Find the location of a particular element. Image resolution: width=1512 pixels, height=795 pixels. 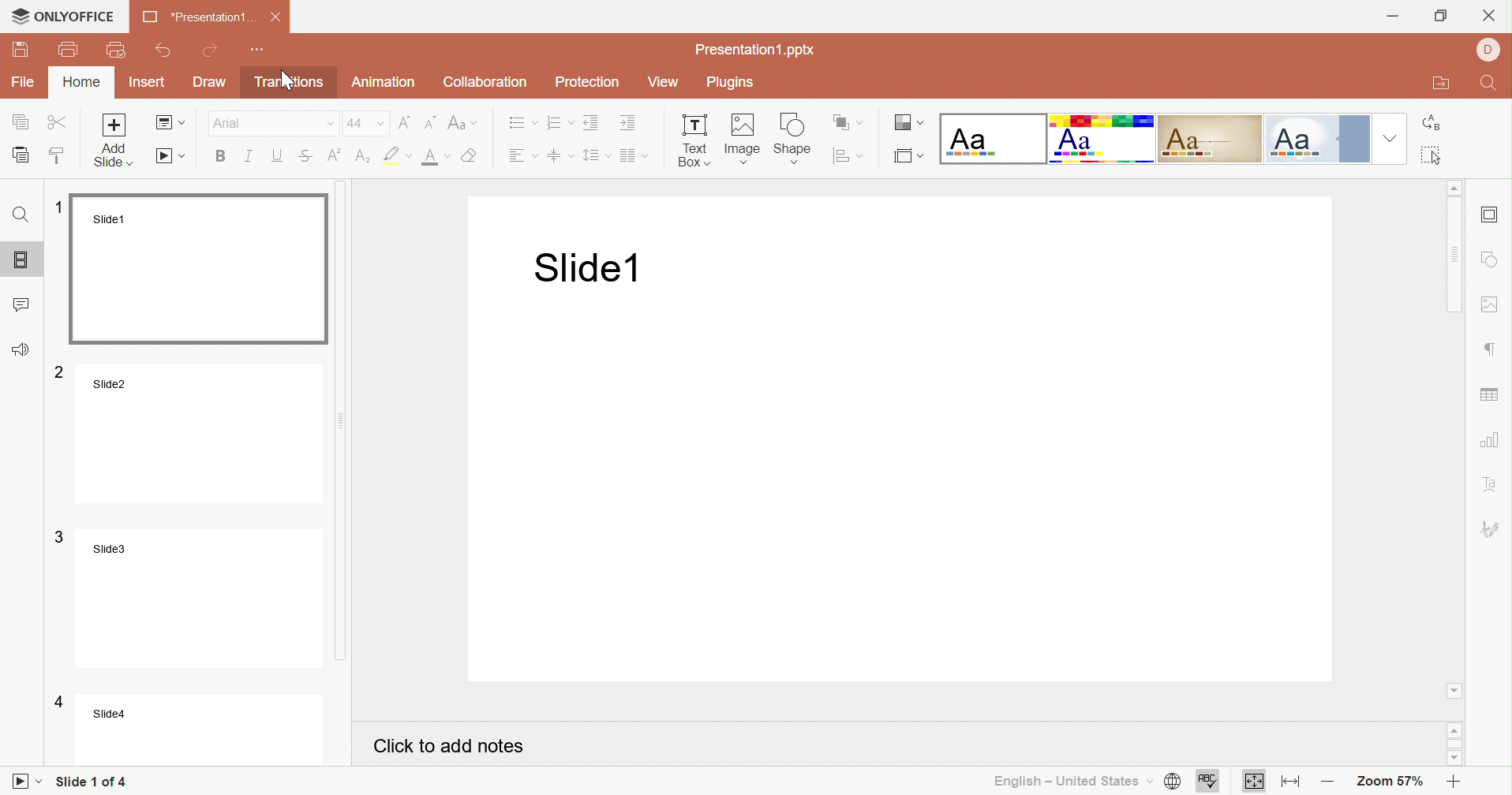

Cut is located at coordinates (58, 121).